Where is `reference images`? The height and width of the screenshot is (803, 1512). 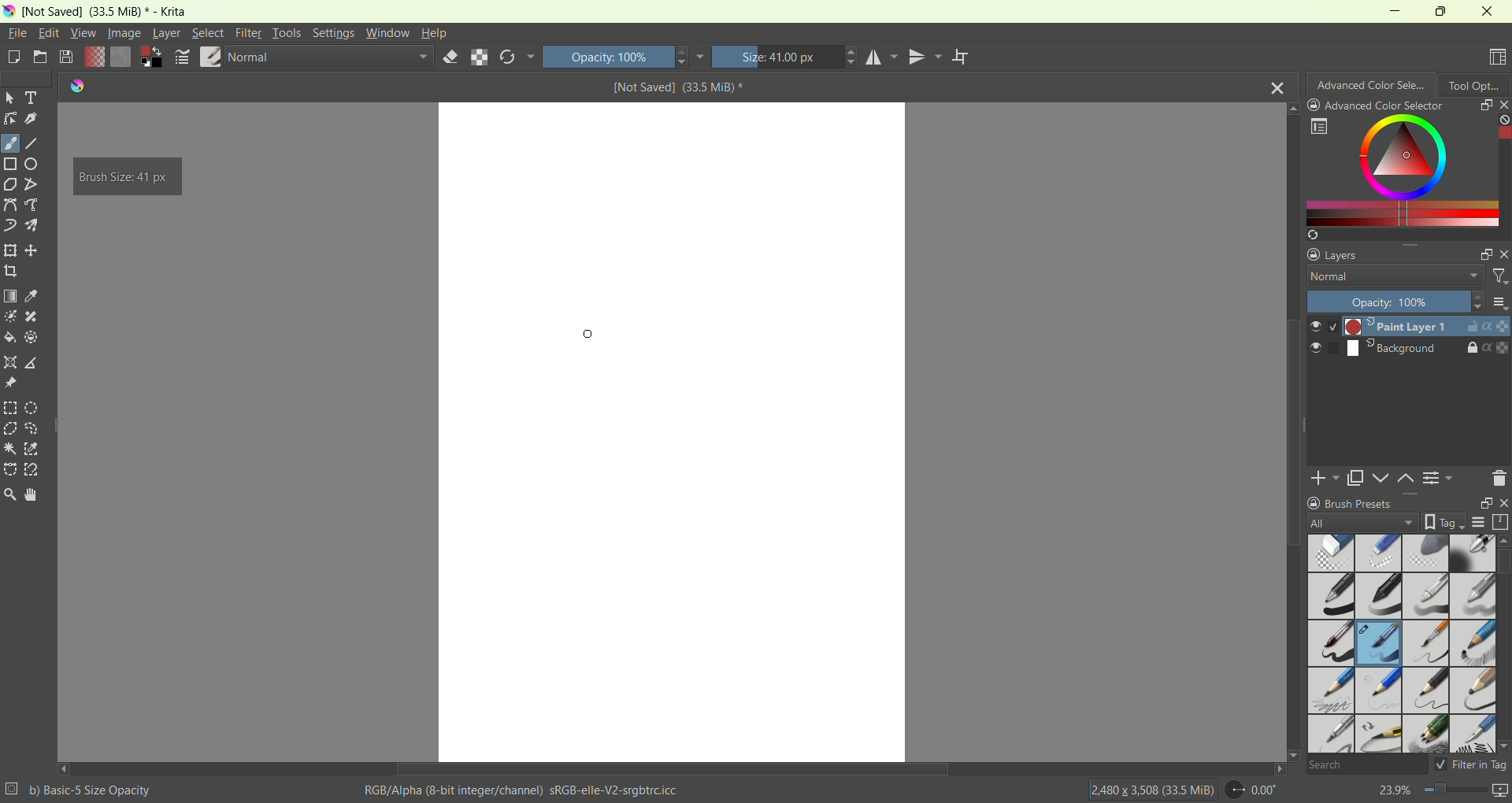 reference images is located at coordinates (9, 383).